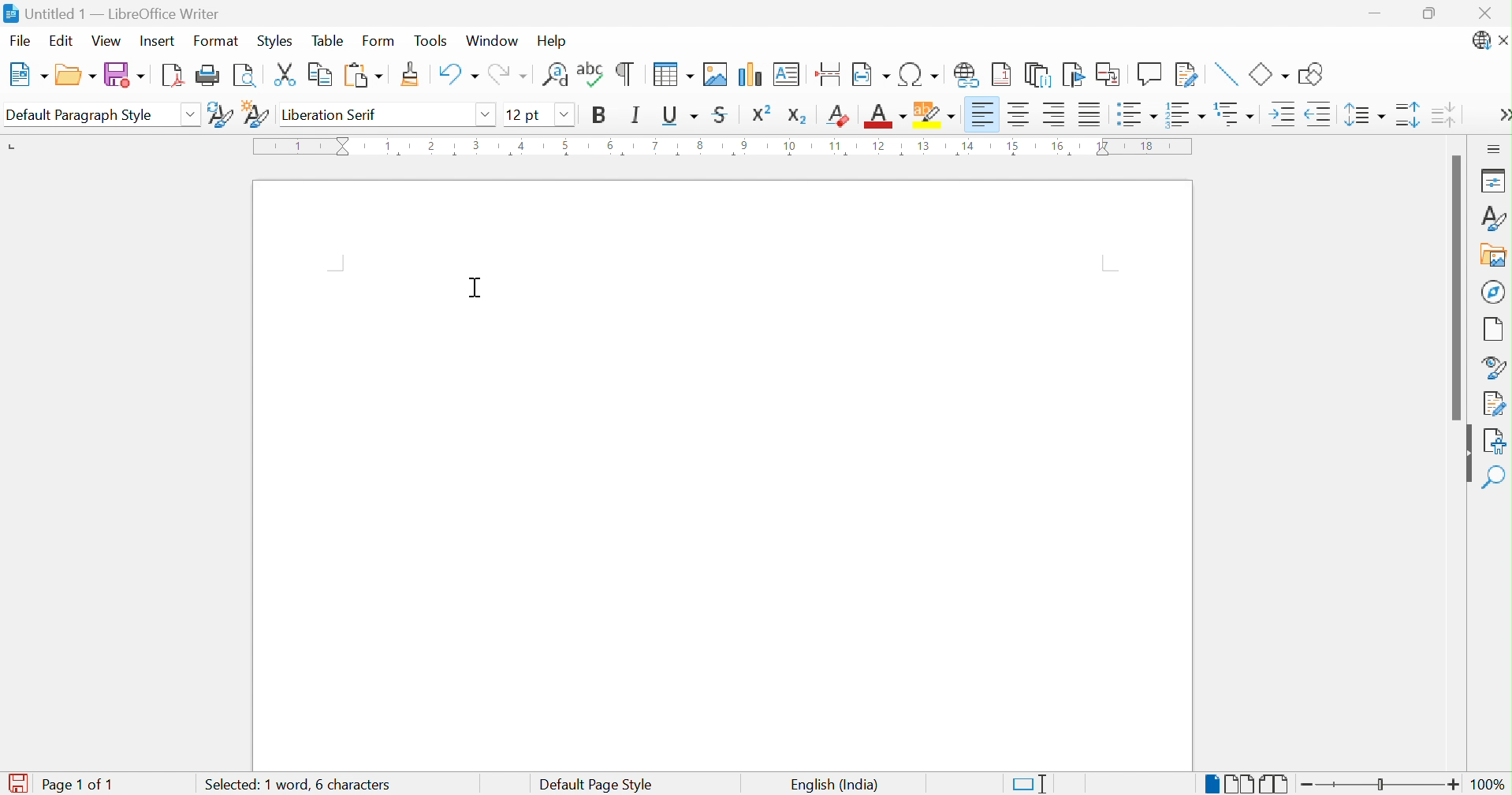 This screenshot has width=1512, height=795. What do you see at coordinates (1454, 287) in the screenshot?
I see `Scroll Bar` at bounding box center [1454, 287].